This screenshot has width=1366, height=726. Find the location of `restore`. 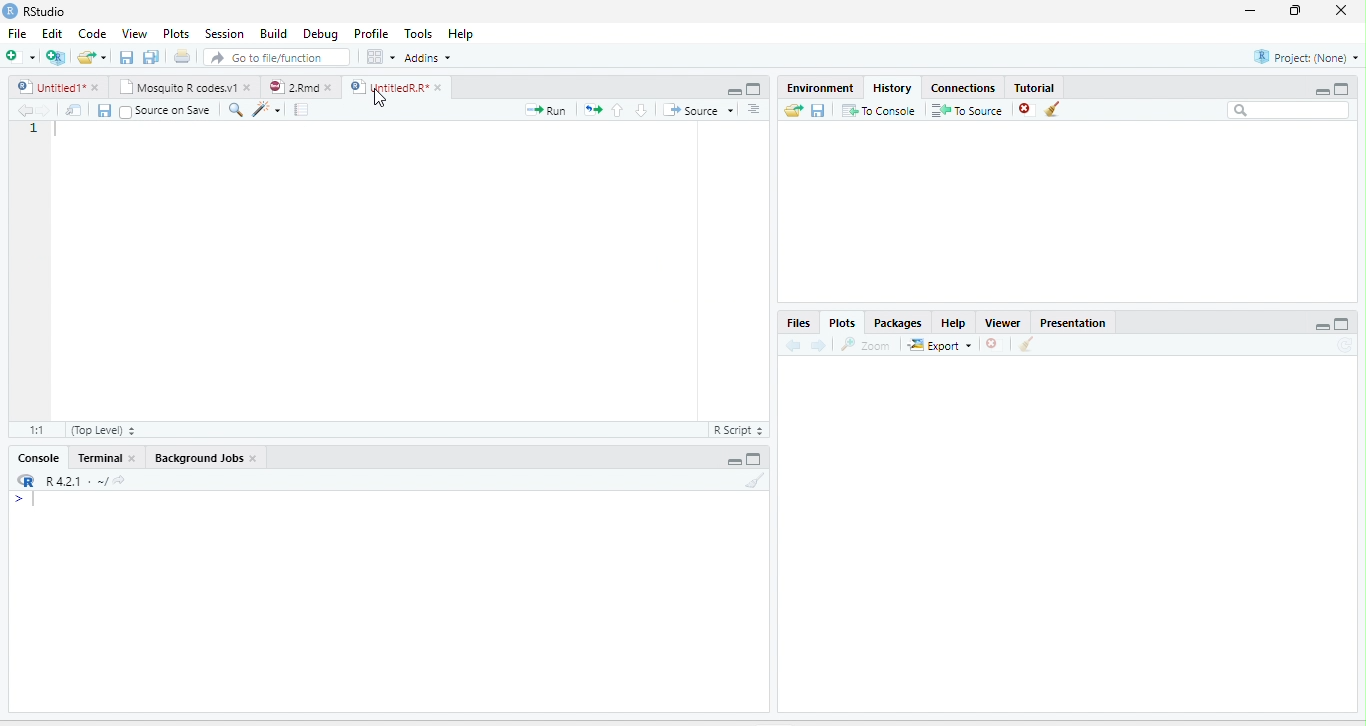

restore is located at coordinates (1296, 11).